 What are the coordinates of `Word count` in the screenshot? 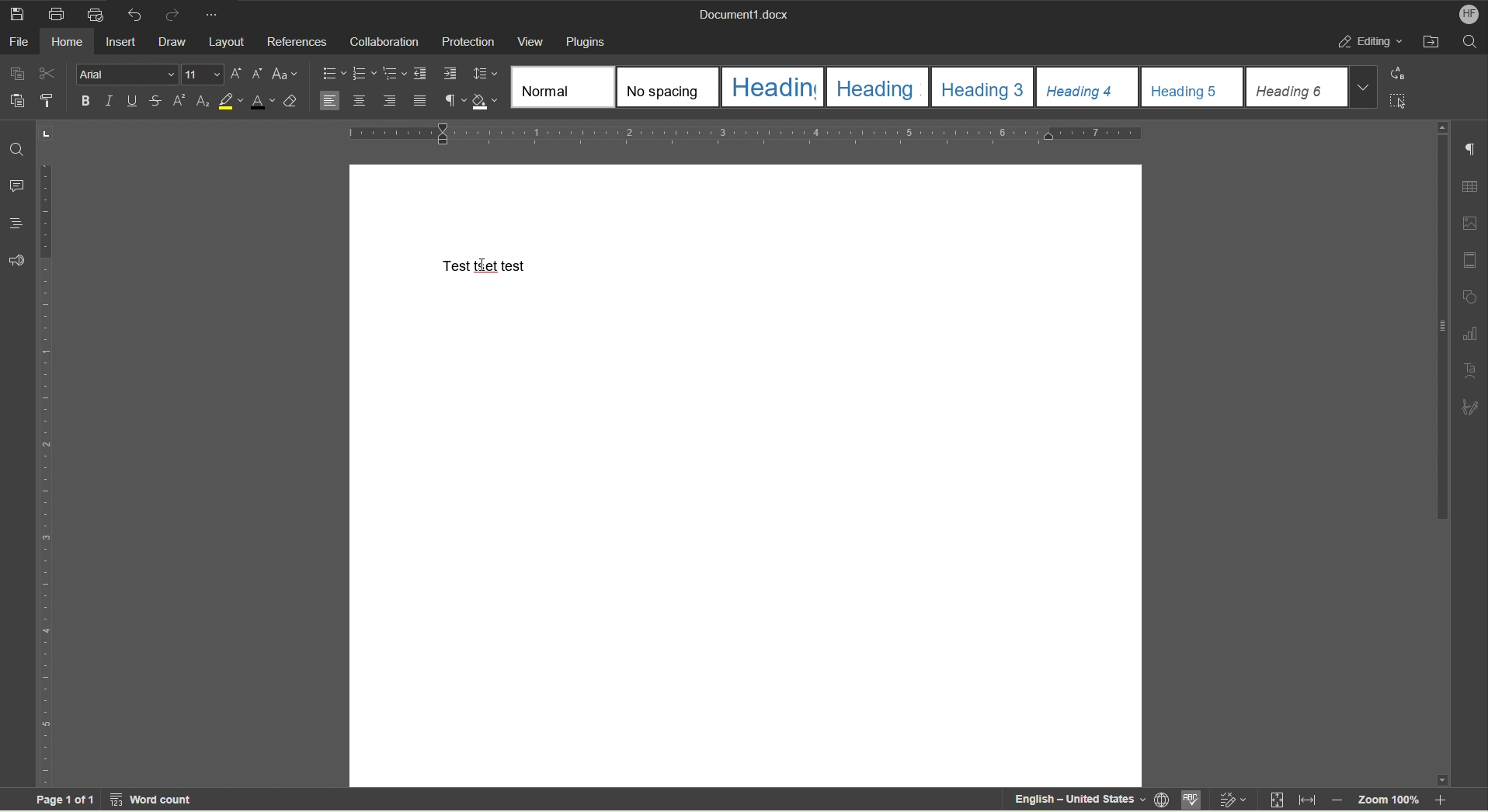 It's located at (154, 800).